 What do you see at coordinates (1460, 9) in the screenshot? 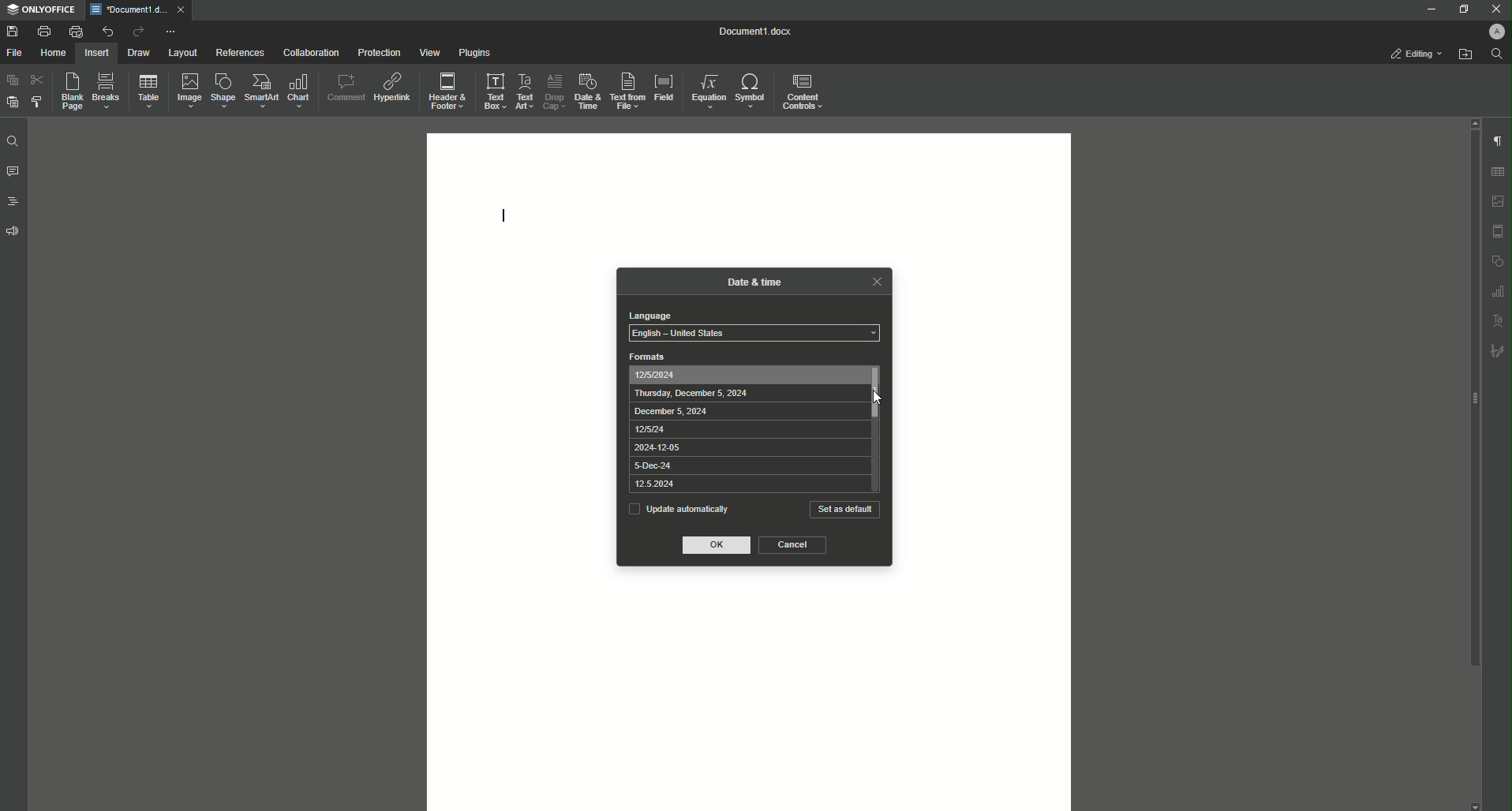
I see `Restore` at bounding box center [1460, 9].